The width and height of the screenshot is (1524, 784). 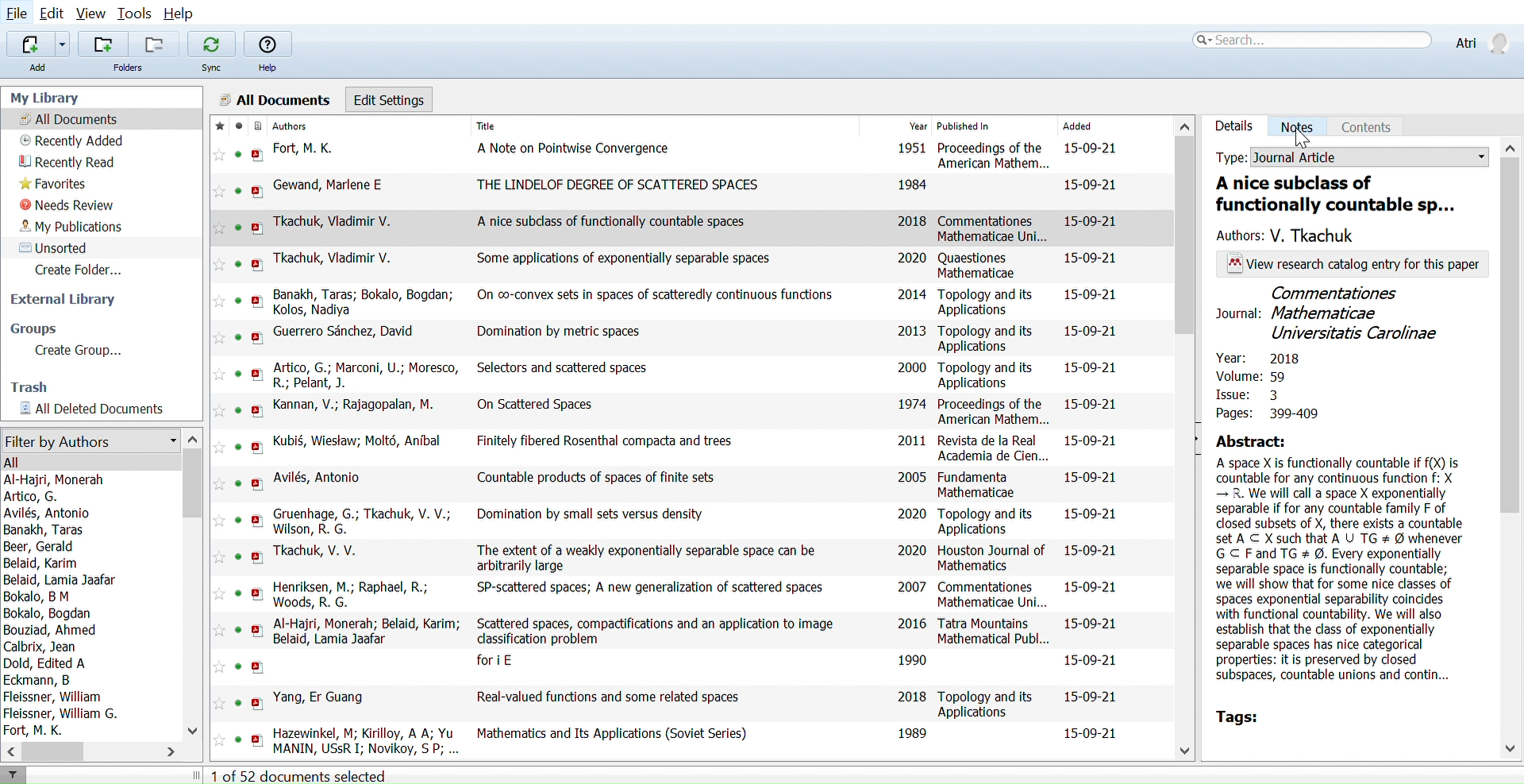 I want to click on 2013, so click(x=913, y=331).